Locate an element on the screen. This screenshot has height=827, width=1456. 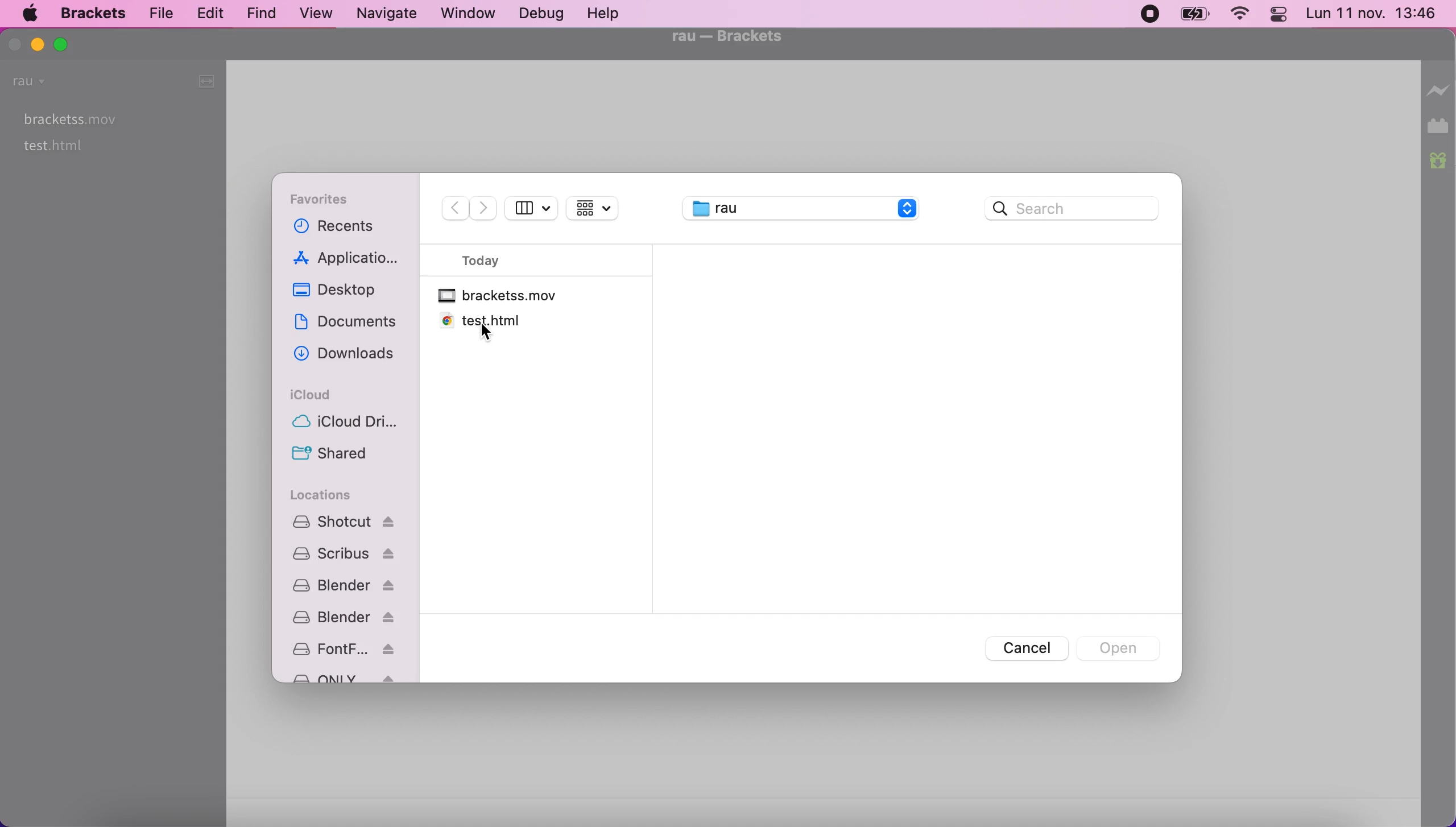
test is located at coordinates (53, 146).